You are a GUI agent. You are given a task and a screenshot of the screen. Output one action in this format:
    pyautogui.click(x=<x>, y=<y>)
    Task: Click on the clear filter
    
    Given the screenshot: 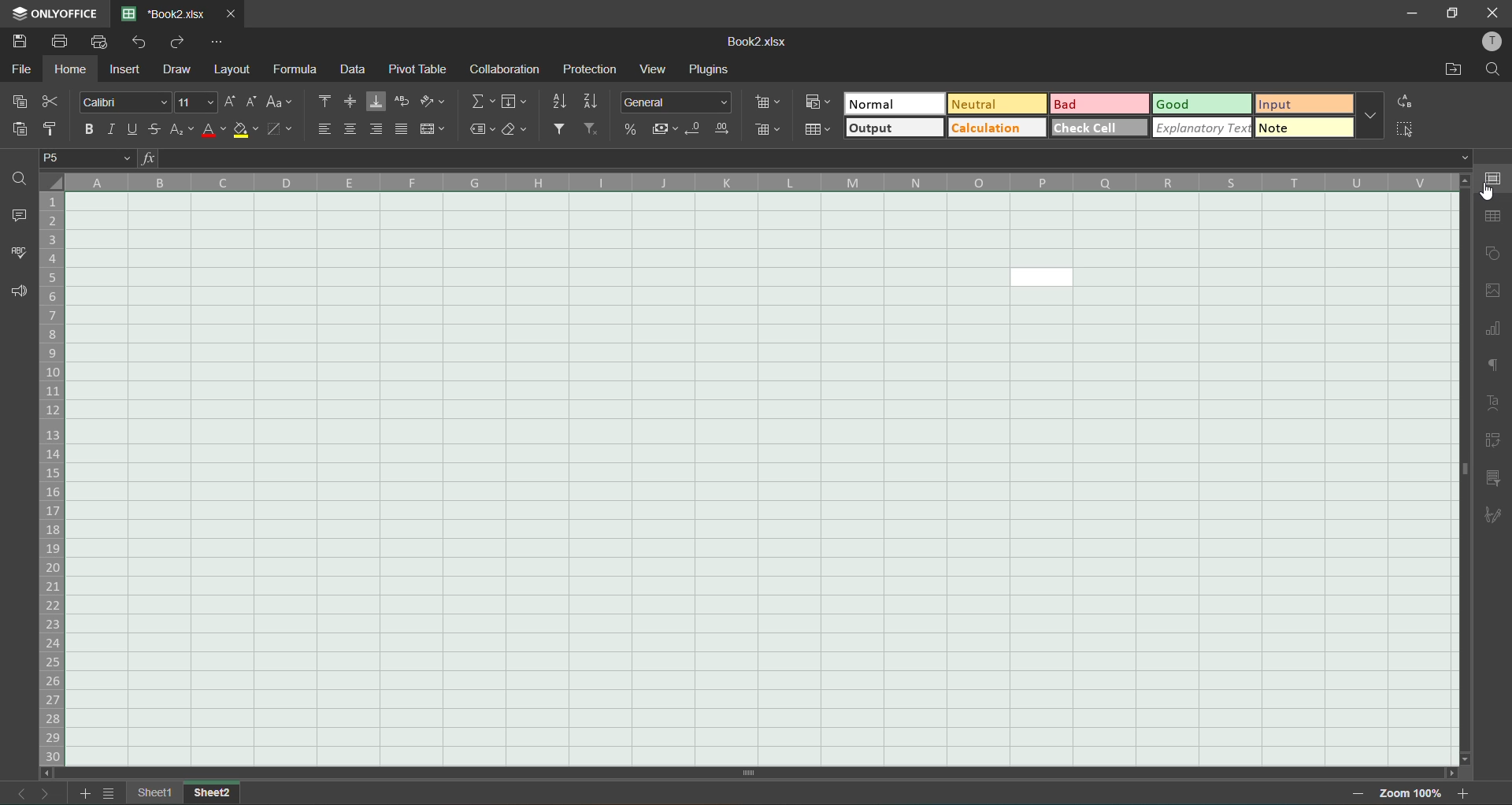 What is the action you would take?
    pyautogui.click(x=594, y=132)
    